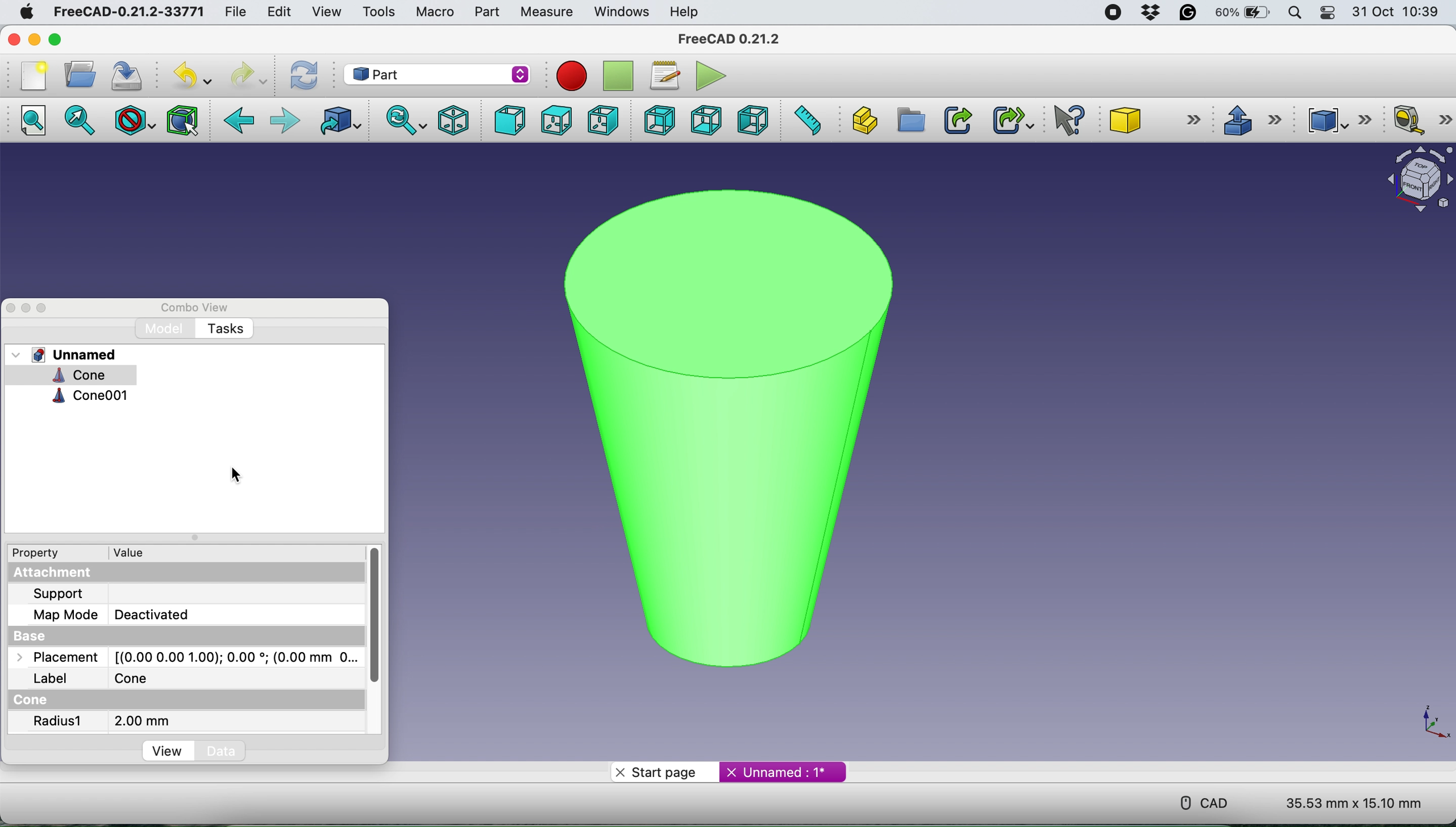 The height and width of the screenshot is (827, 1456). What do you see at coordinates (726, 39) in the screenshot?
I see `freecad 0.21.2` at bounding box center [726, 39].